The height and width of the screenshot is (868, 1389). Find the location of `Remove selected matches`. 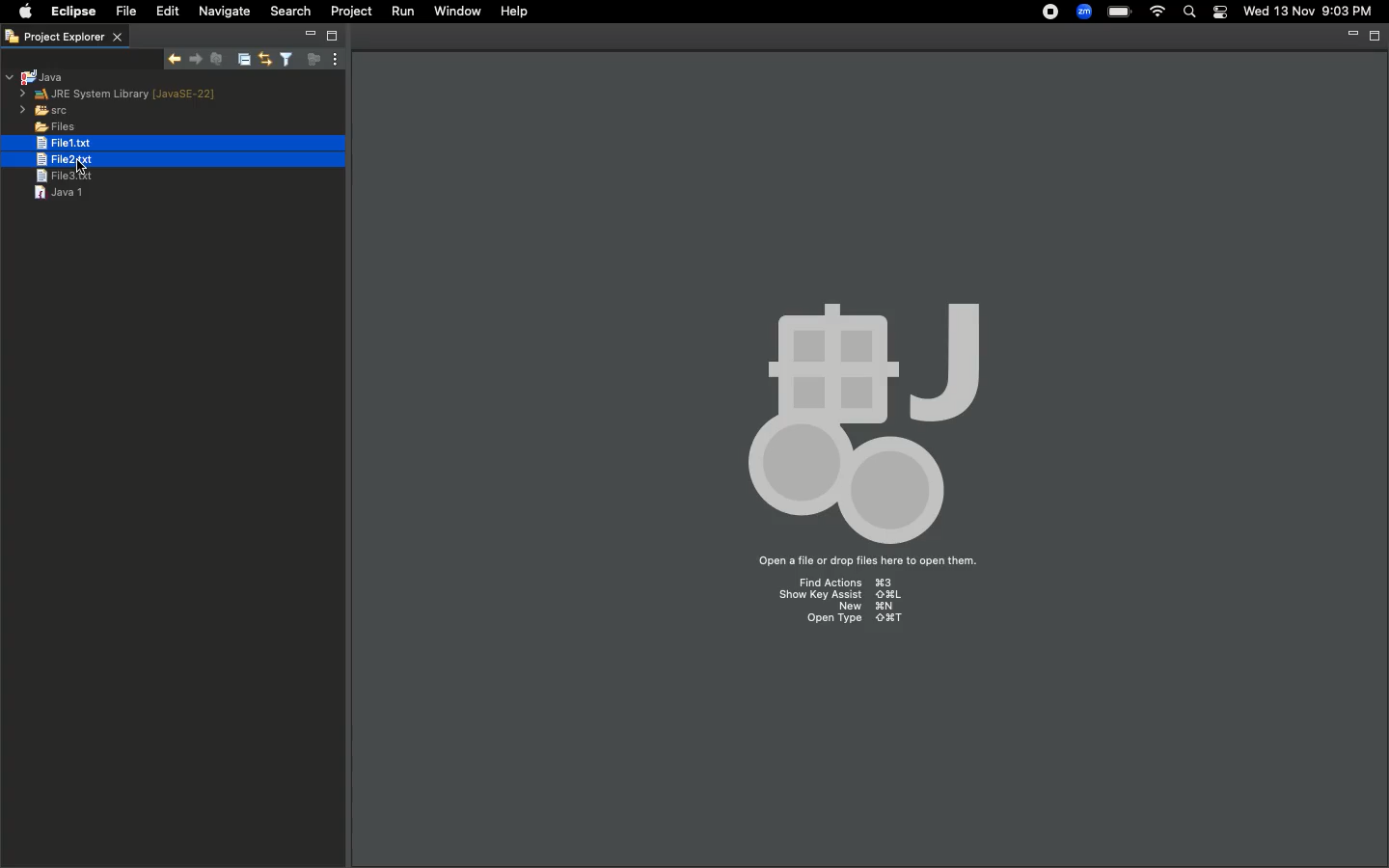

Remove selected matches is located at coordinates (216, 58).